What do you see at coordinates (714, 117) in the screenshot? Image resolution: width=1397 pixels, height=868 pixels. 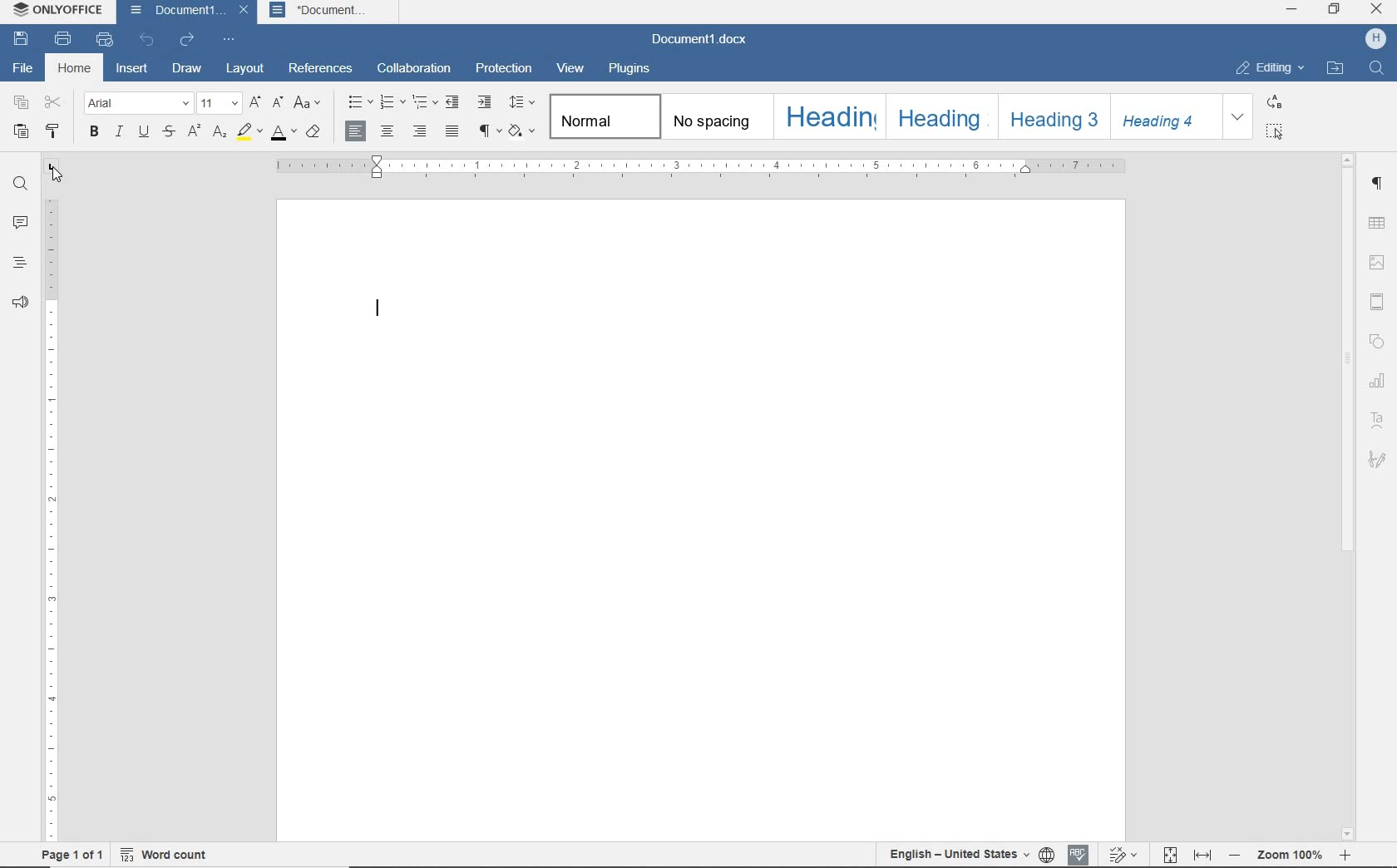 I see `NO SPACING` at bounding box center [714, 117].